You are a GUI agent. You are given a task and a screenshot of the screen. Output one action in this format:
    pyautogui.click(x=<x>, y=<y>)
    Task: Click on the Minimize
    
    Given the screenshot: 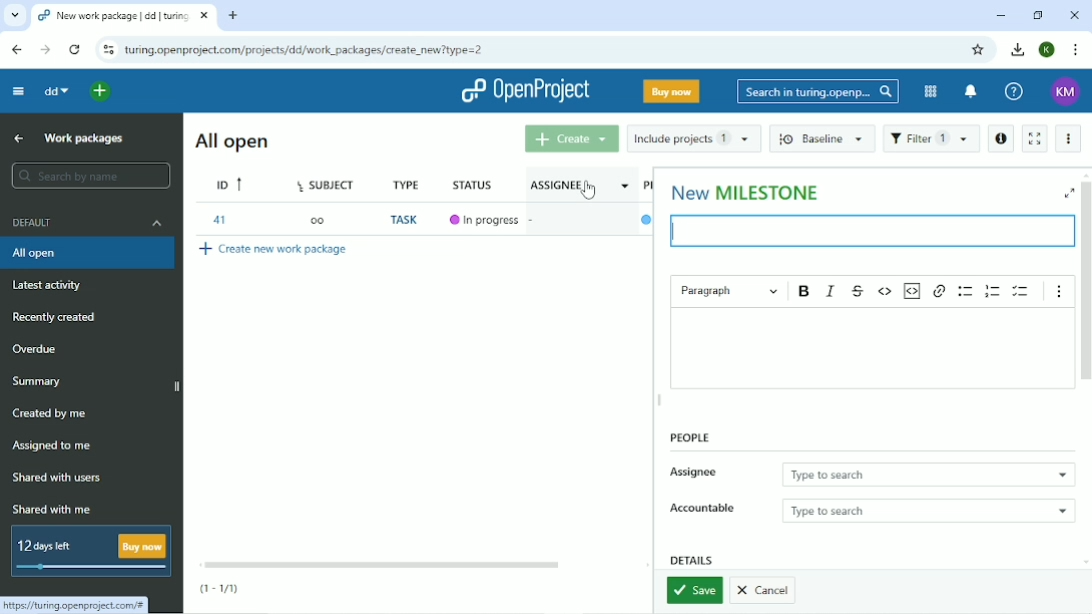 What is the action you would take?
    pyautogui.click(x=1000, y=17)
    